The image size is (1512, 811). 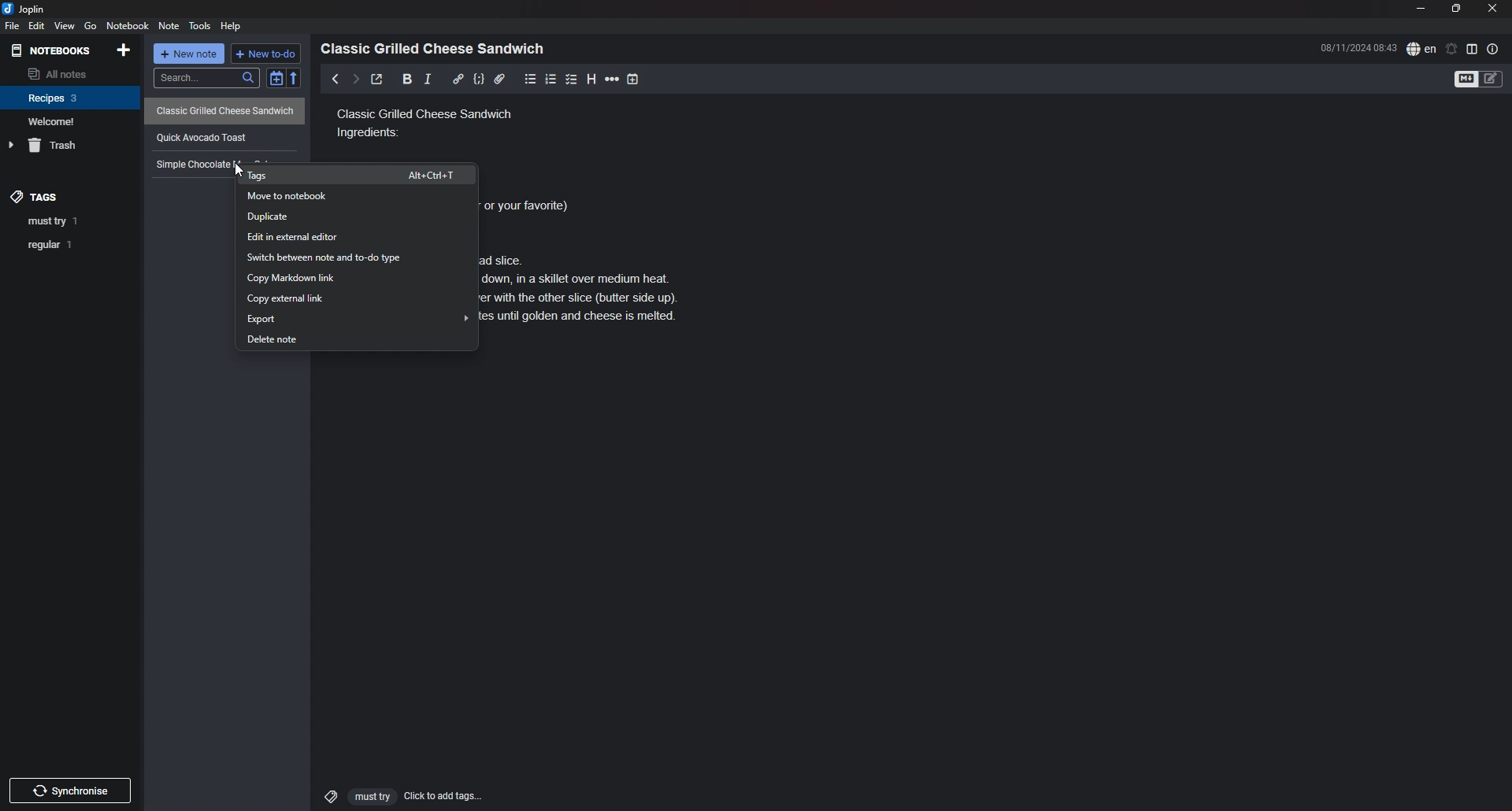 What do you see at coordinates (71, 97) in the screenshot?
I see `notebook` at bounding box center [71, 97].